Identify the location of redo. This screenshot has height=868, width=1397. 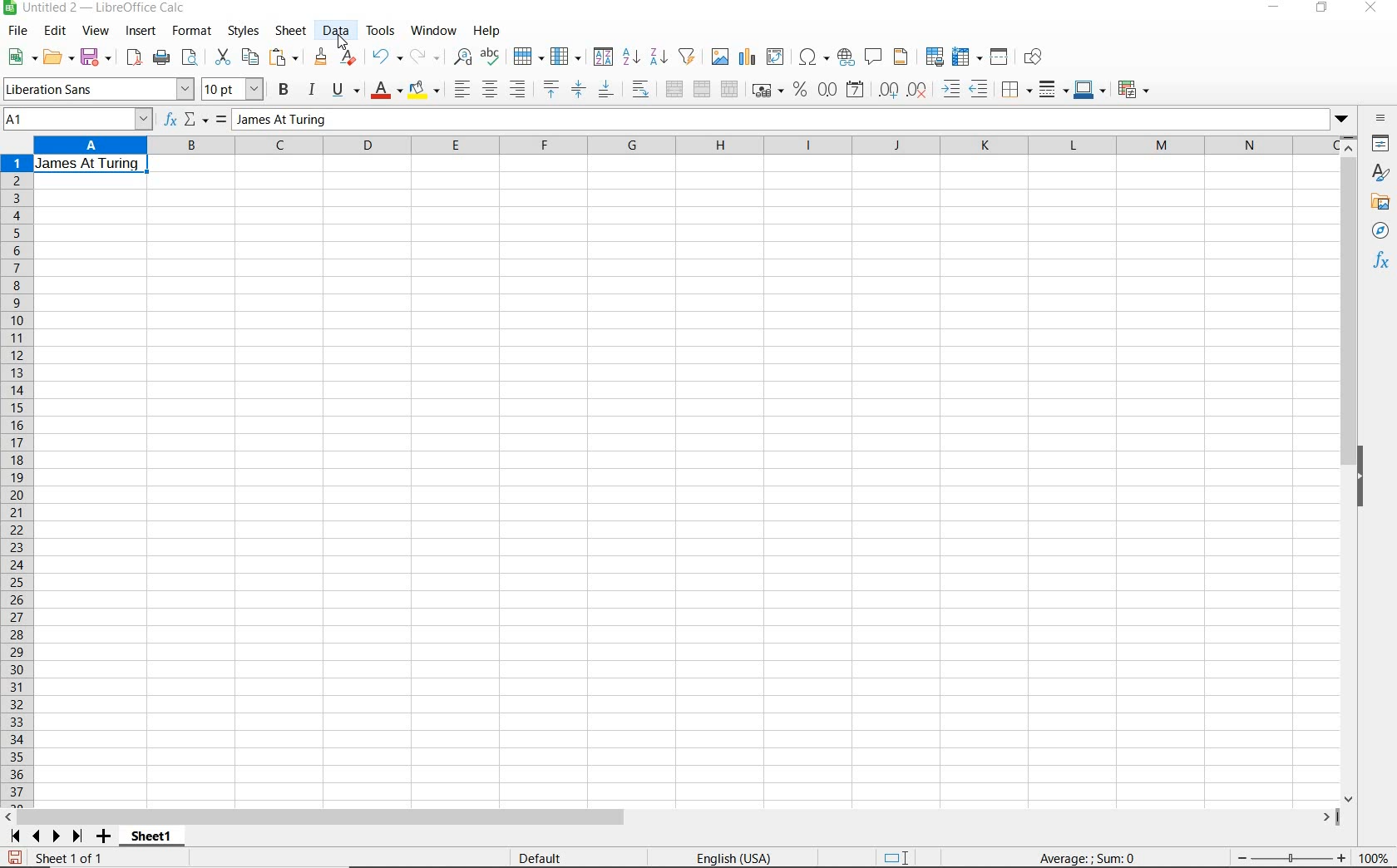
(426, 57).